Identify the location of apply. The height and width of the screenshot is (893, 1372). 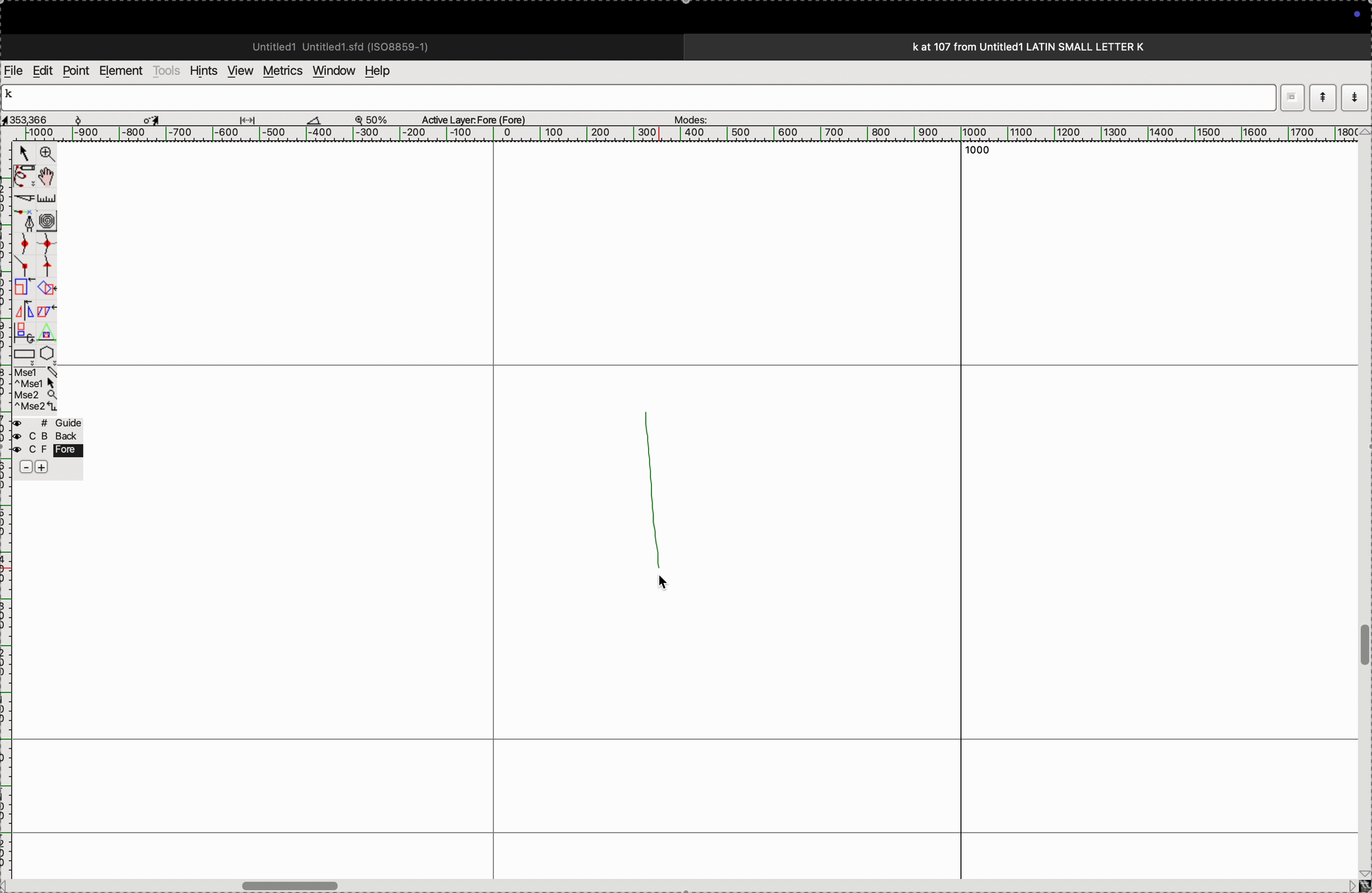
(47, 319).